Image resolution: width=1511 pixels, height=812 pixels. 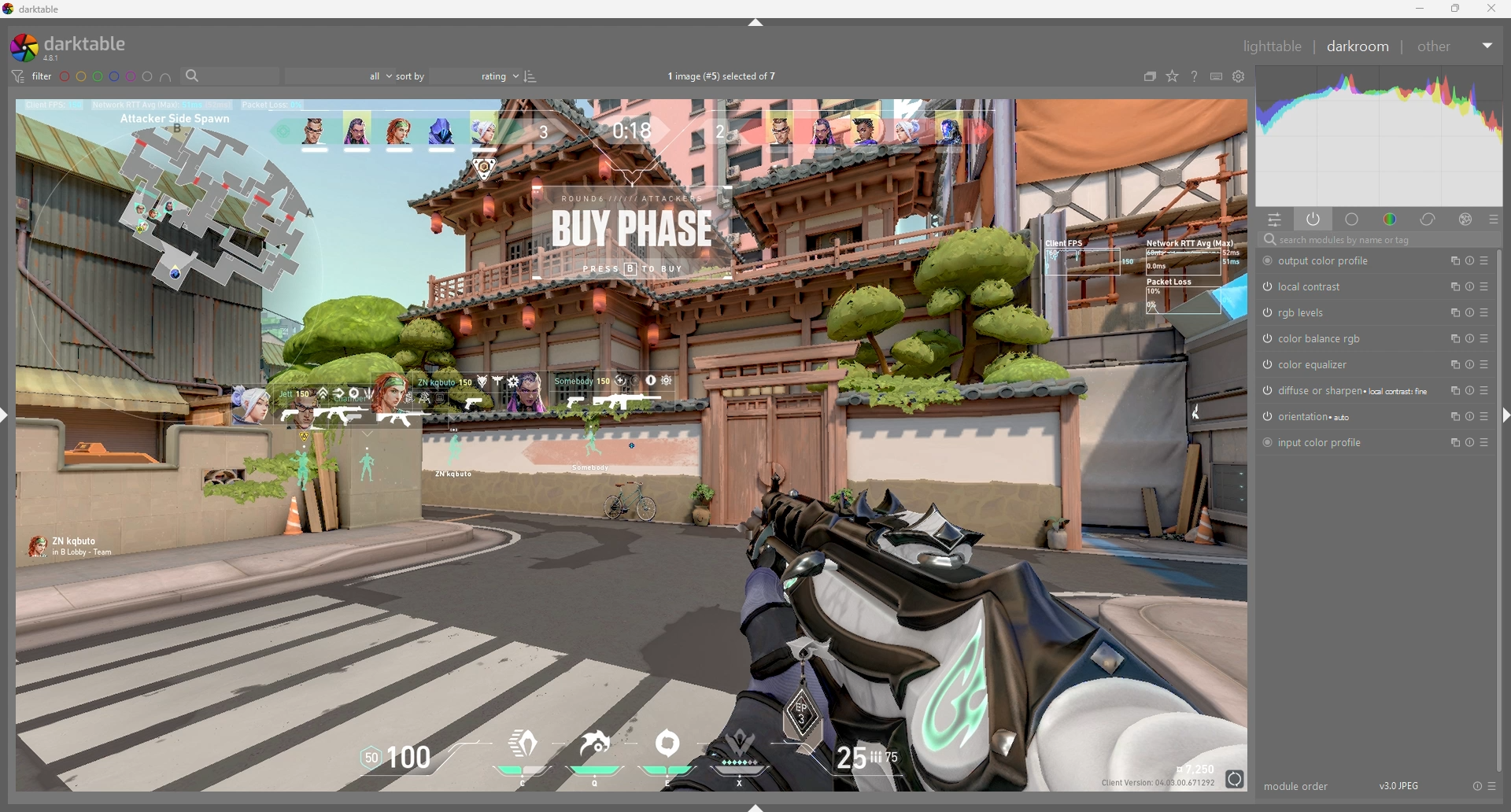 I want to click on rgb levels, so click(x=1296, y=313).